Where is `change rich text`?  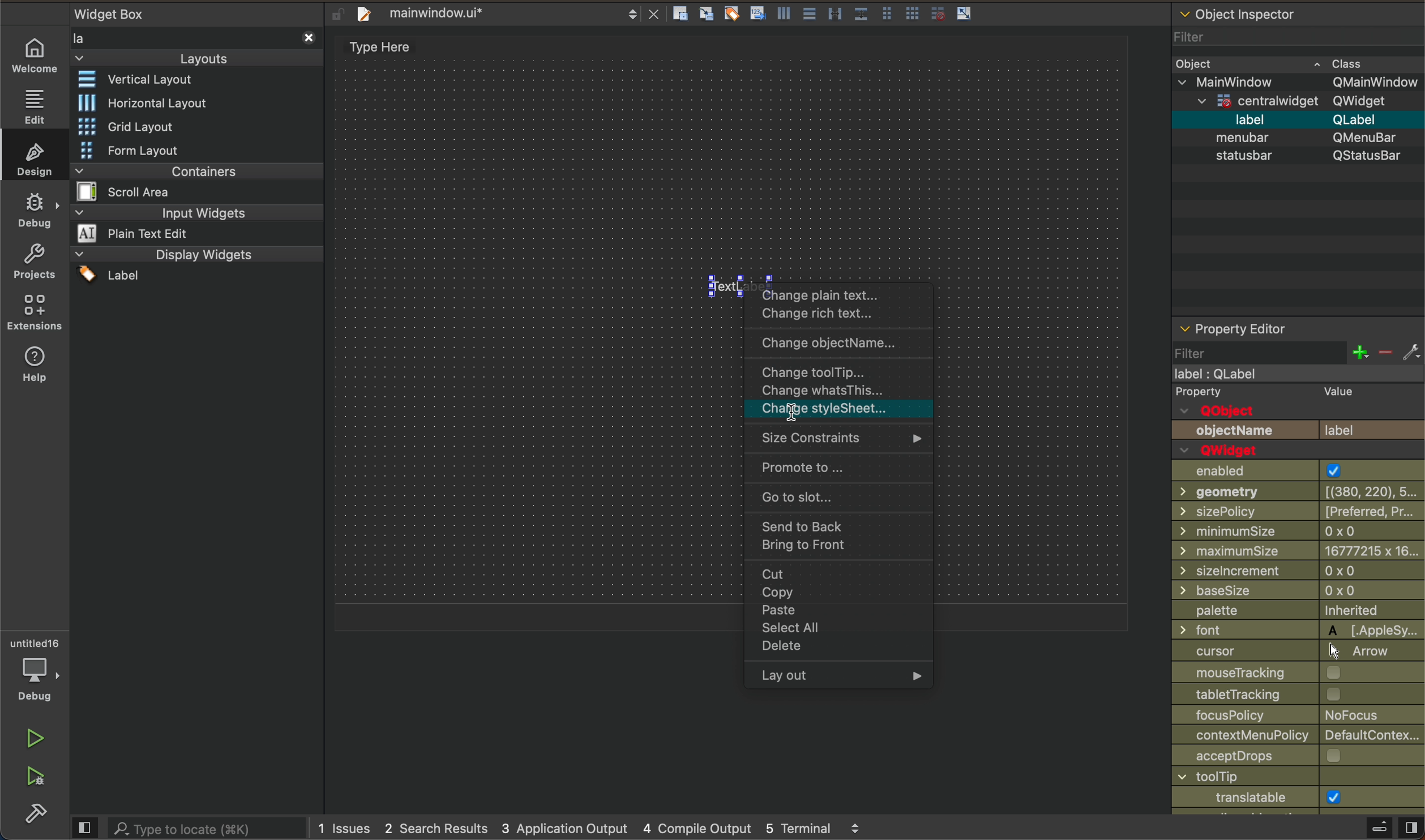
change rich text is located at coordinates (838, 314).